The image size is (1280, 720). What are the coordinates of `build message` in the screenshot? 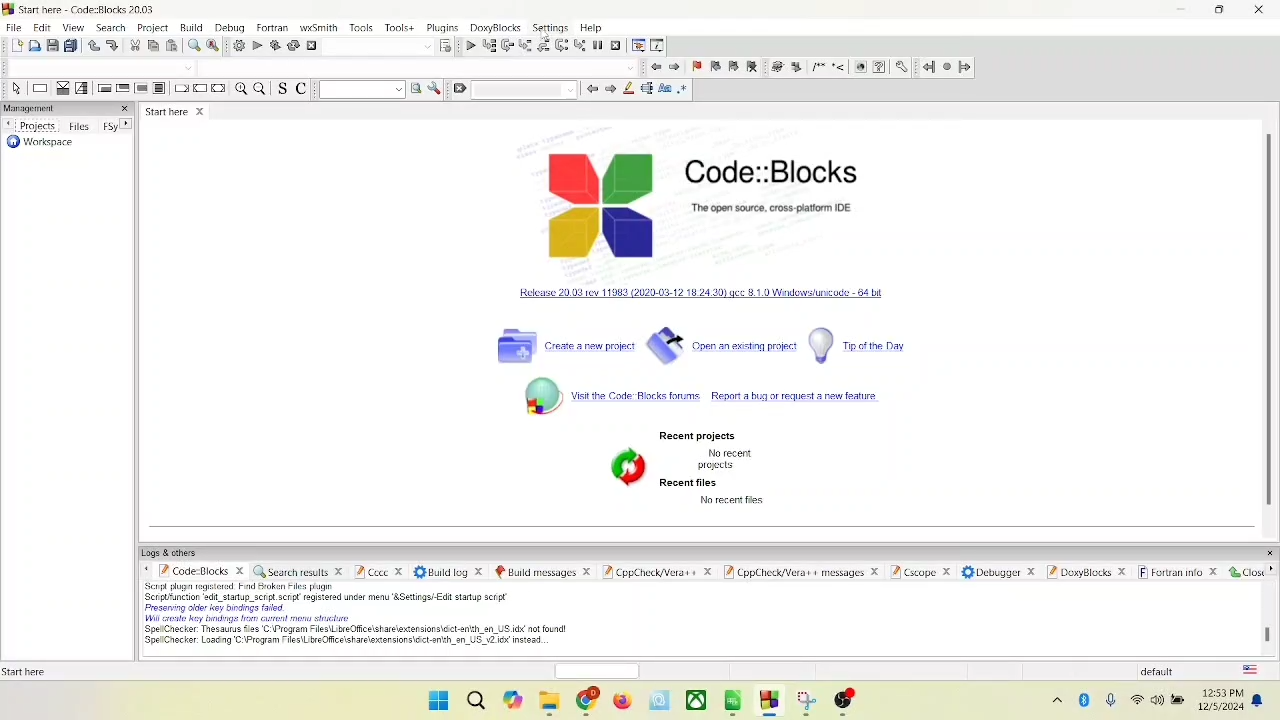 It's located at (540, 572).